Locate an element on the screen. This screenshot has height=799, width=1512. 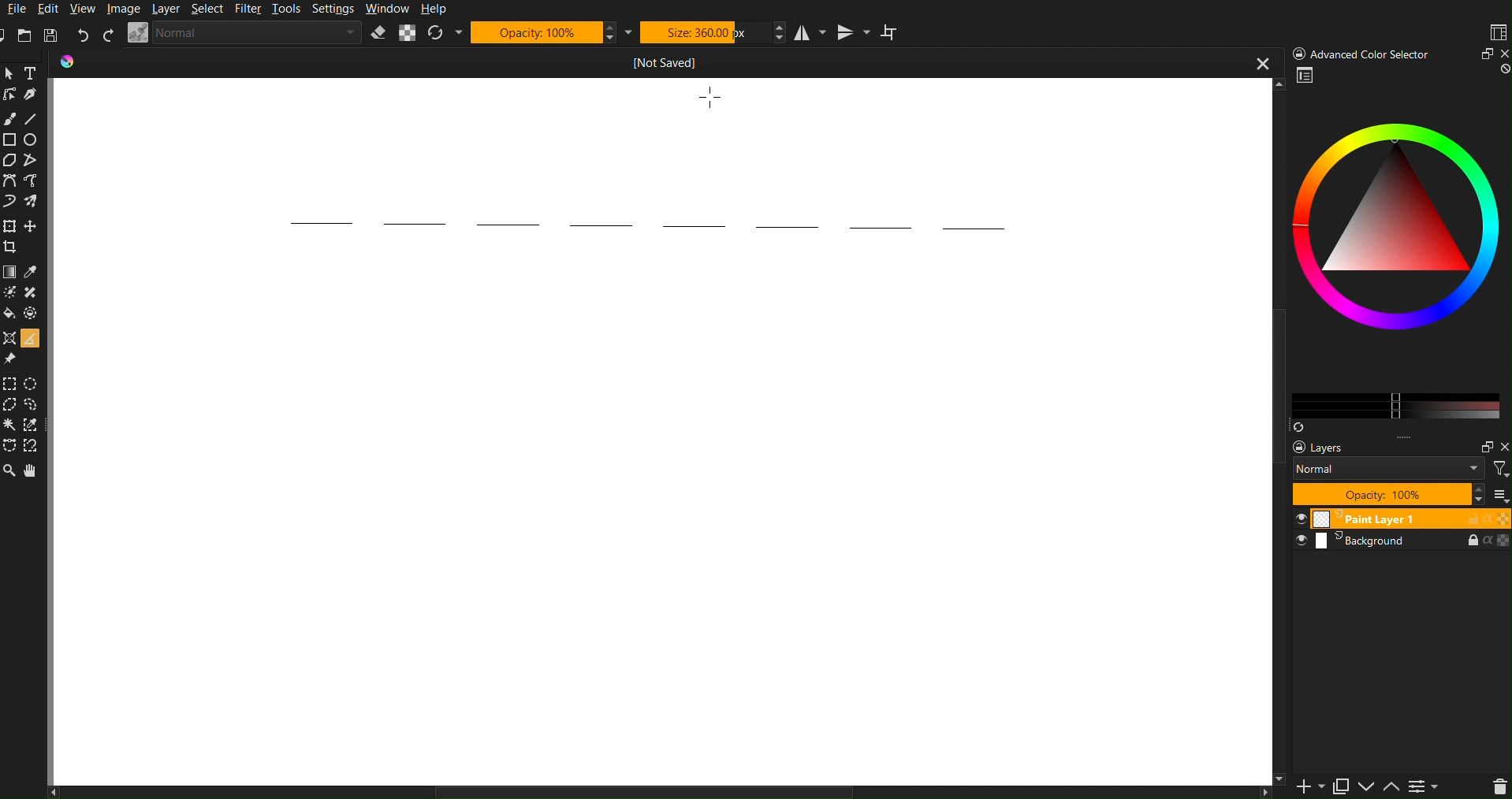
Alpha is located at coordinates (408, 33).